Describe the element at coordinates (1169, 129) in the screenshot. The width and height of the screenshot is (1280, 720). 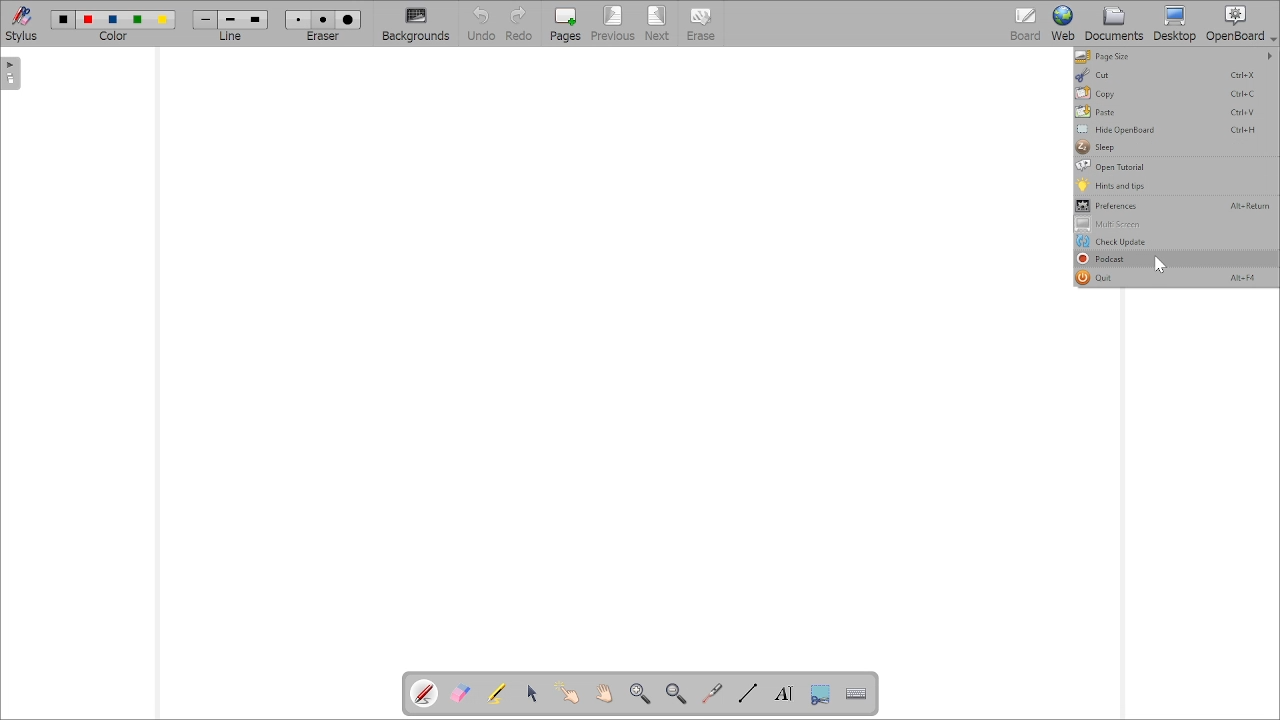
I see `Hide openboard` at that location.